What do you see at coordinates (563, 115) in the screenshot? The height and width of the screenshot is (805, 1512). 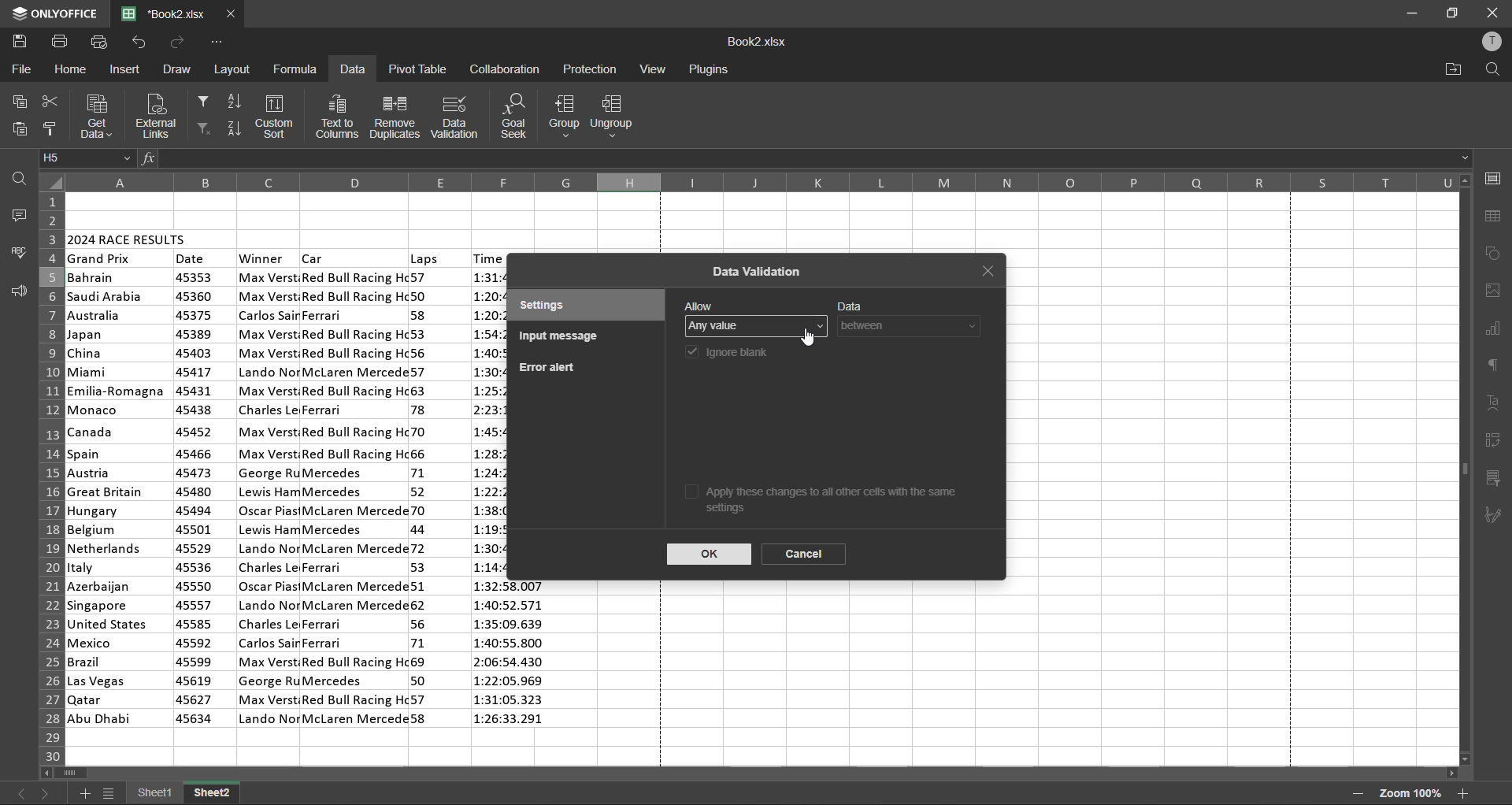 I see `group` at bounding box center [563, 115].